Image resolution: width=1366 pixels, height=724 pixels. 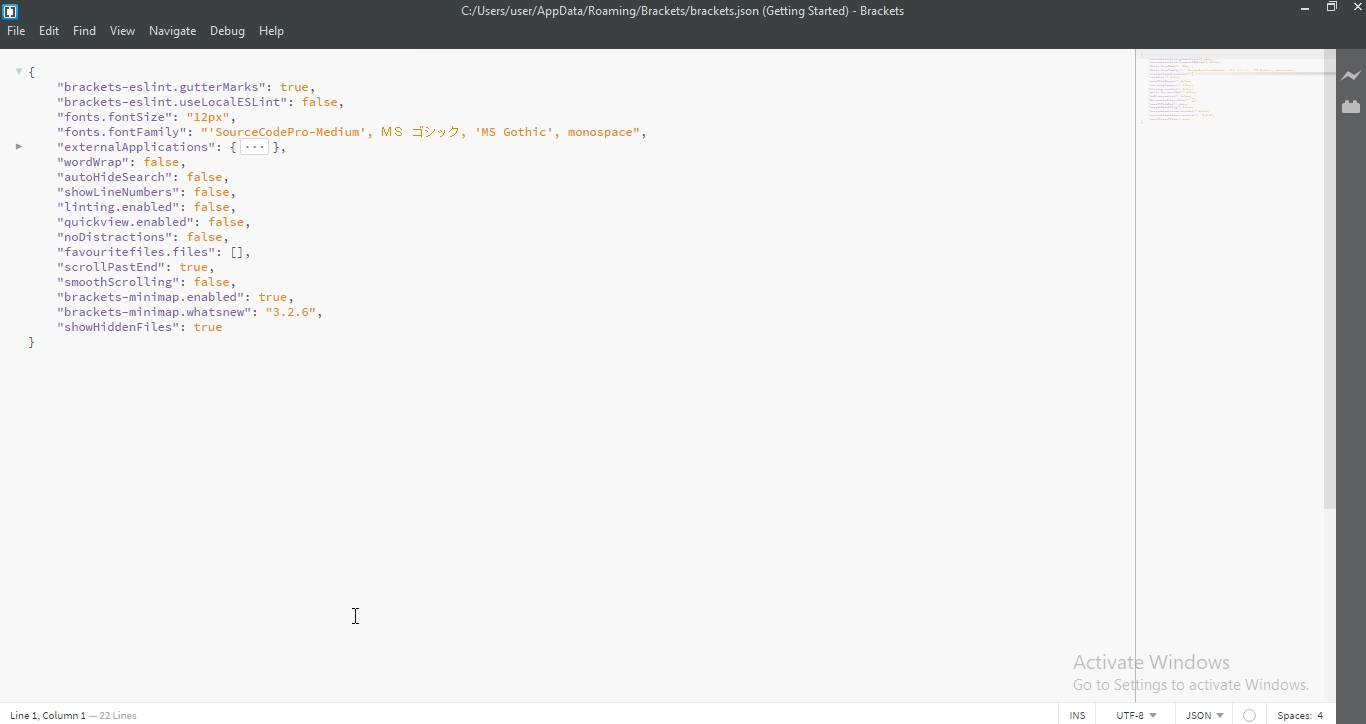 What do you see at coordinates (173, 31) in the screenshot?
I see `Navigate` at bounding box center [173, 31].